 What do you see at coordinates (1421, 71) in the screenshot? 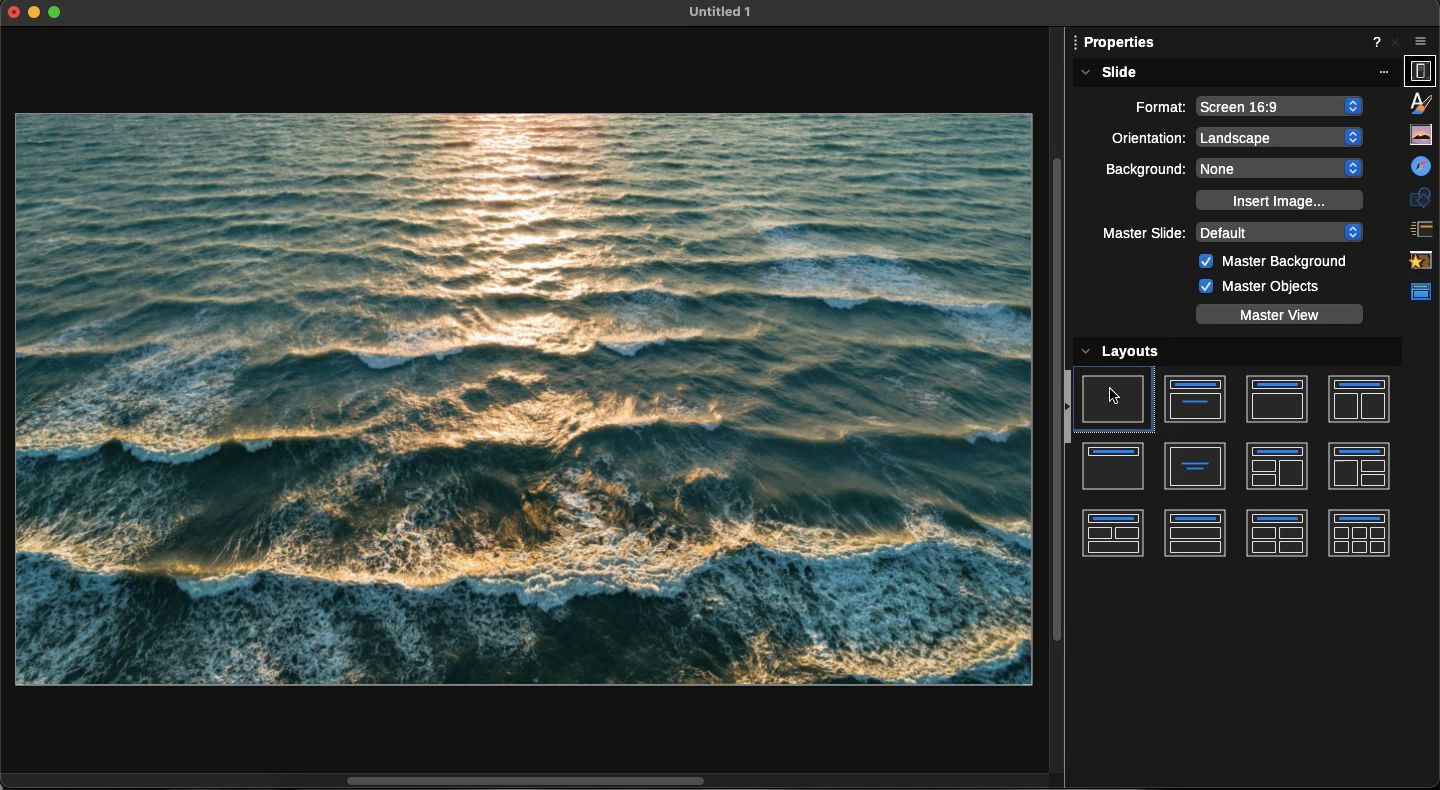
I see `Properties` at bounding box center [1421, 71].